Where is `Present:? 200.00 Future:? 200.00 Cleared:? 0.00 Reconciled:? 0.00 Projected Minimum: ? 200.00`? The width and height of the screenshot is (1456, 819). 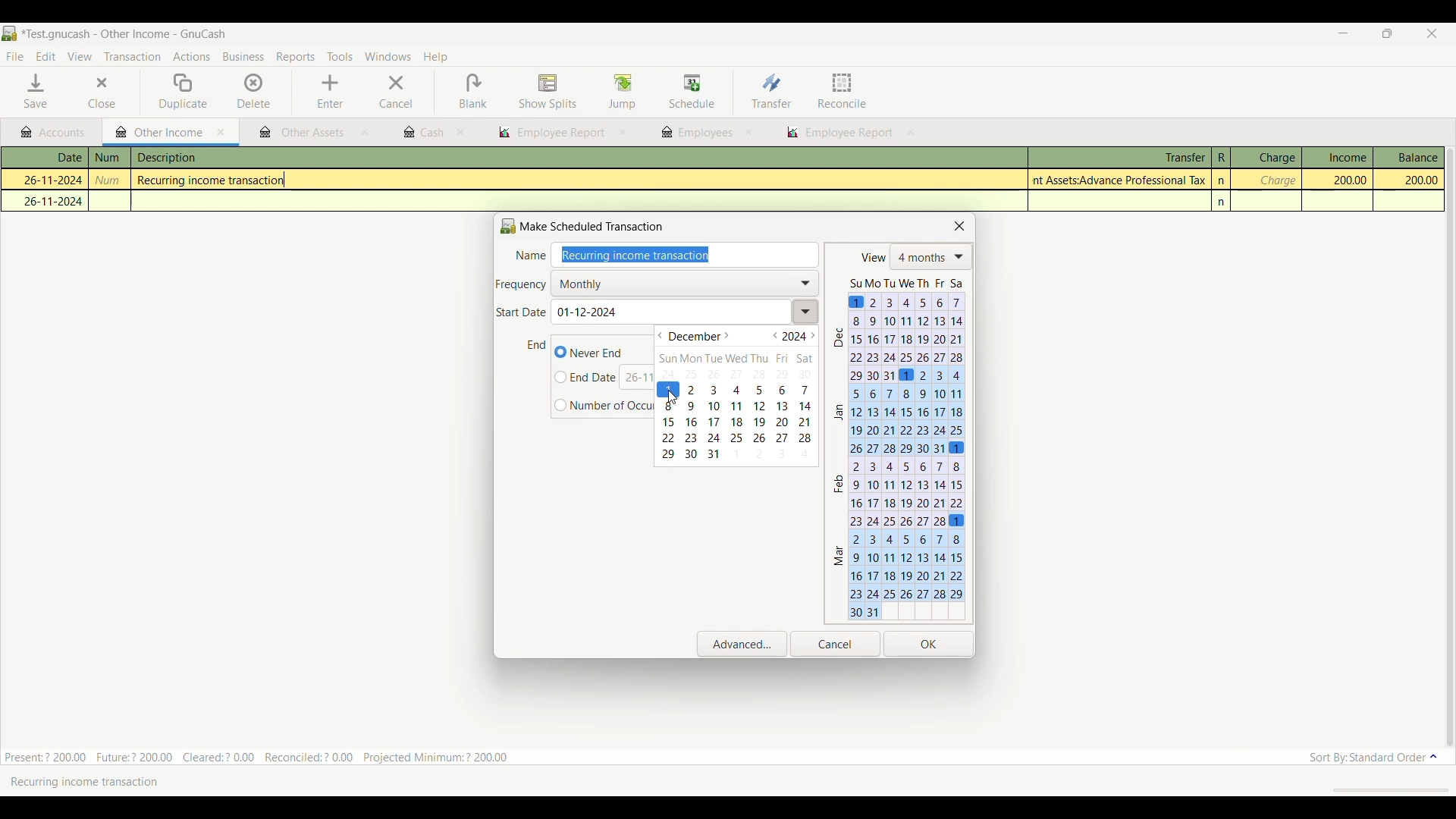
Present:? 200.00 Future:? 200.00 Cleared:? 0.00 Reconciled:? 0.00 Projected Minimum: ? 200.00 is located at coordinates (265, 755).